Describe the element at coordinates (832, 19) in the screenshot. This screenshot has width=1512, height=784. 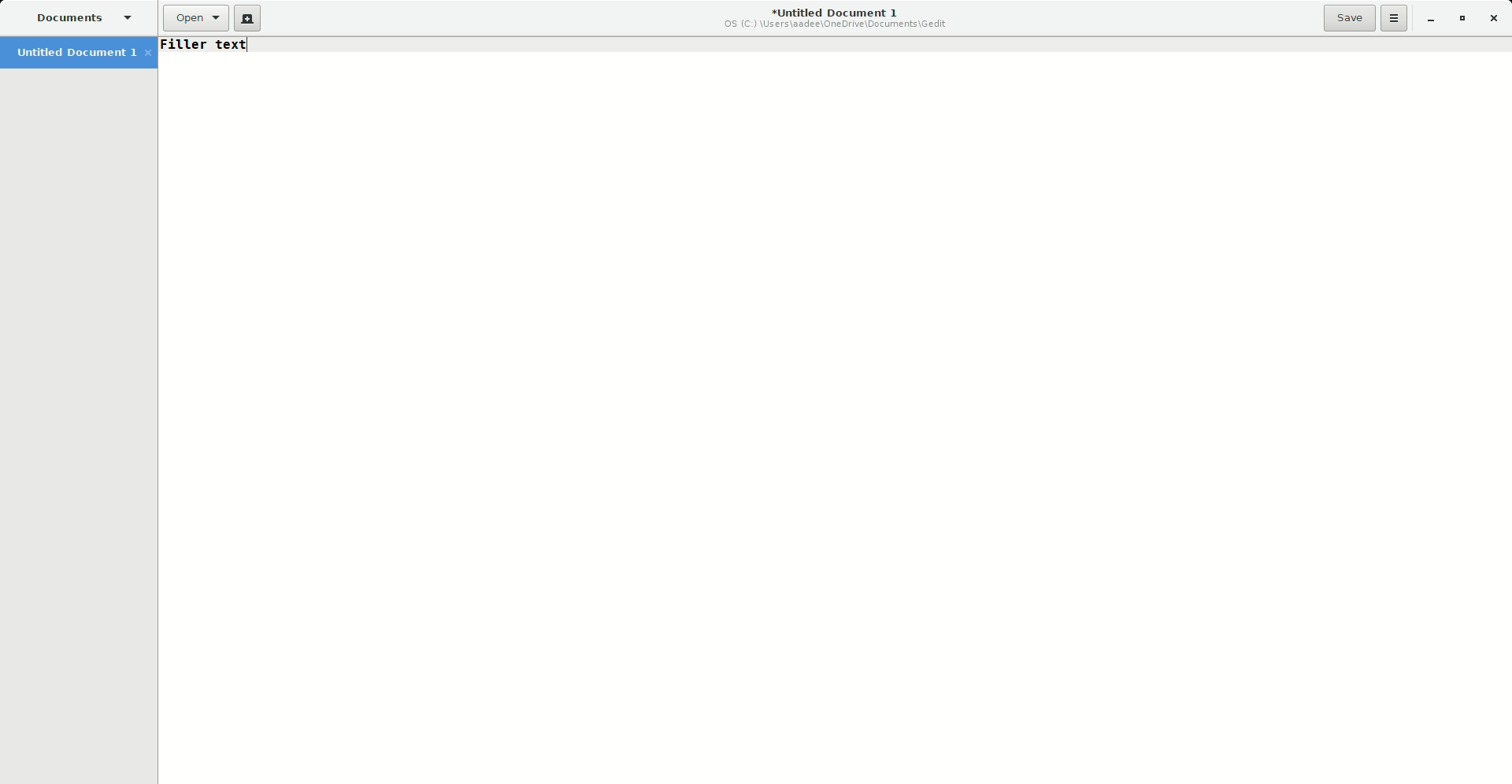
I see `Untitled Document 1` at that location.